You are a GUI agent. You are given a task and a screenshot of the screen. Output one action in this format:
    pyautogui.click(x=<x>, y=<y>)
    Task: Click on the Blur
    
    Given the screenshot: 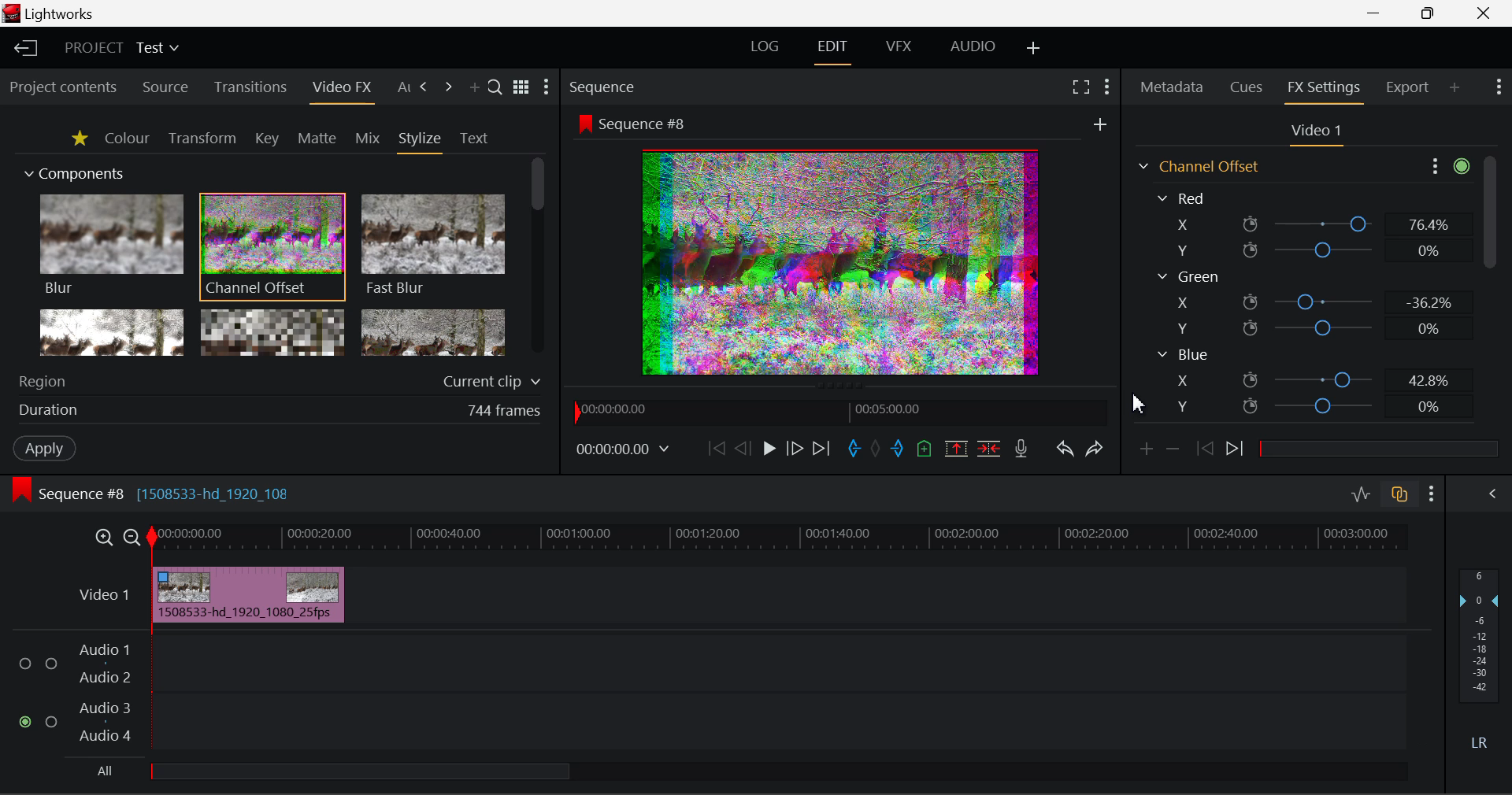 What is the action you would take?
    pyautogui.click(x=110, y=246)
    